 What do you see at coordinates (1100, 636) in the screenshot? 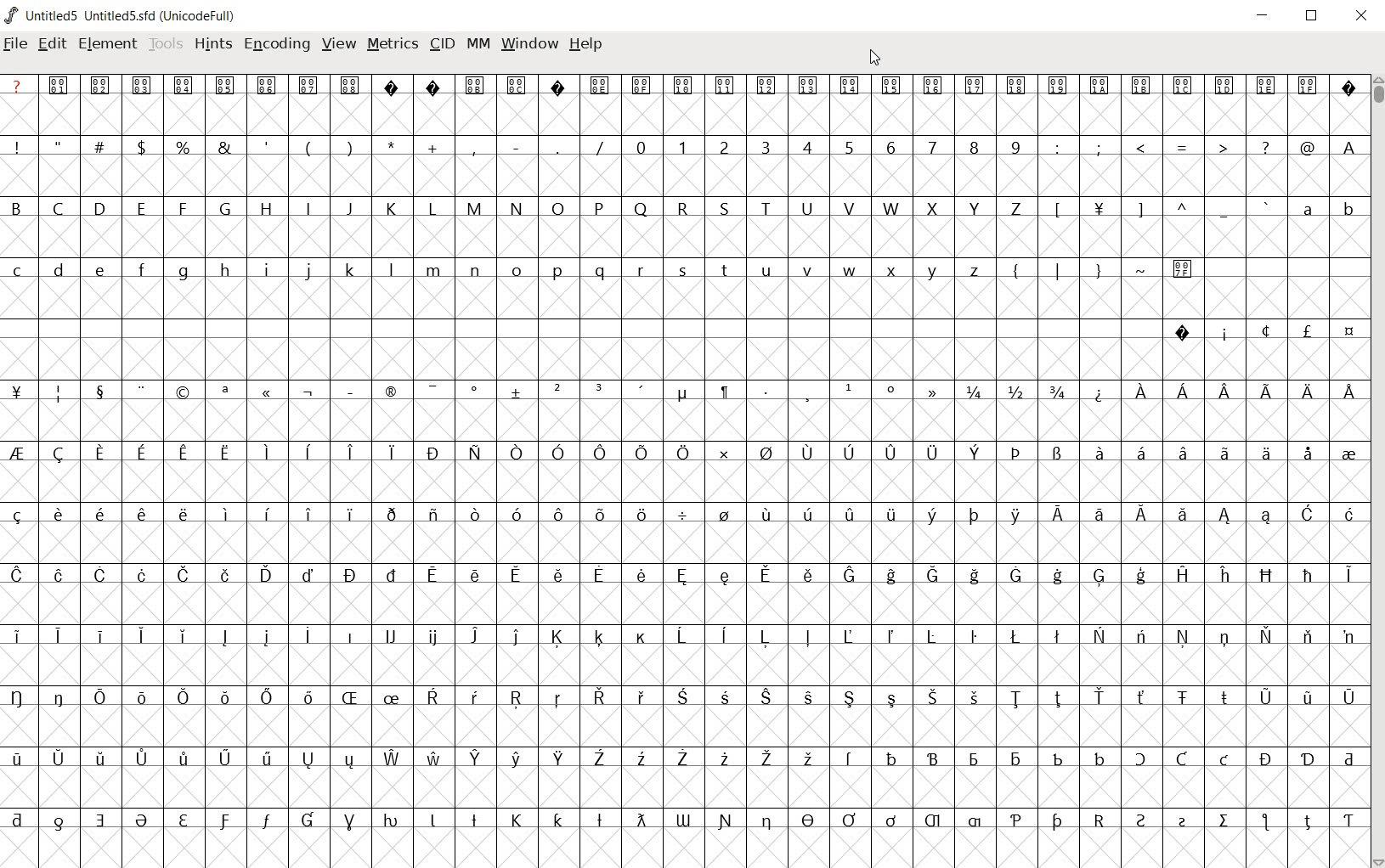
I see `Symbol` at bounding box center [1100, 636].